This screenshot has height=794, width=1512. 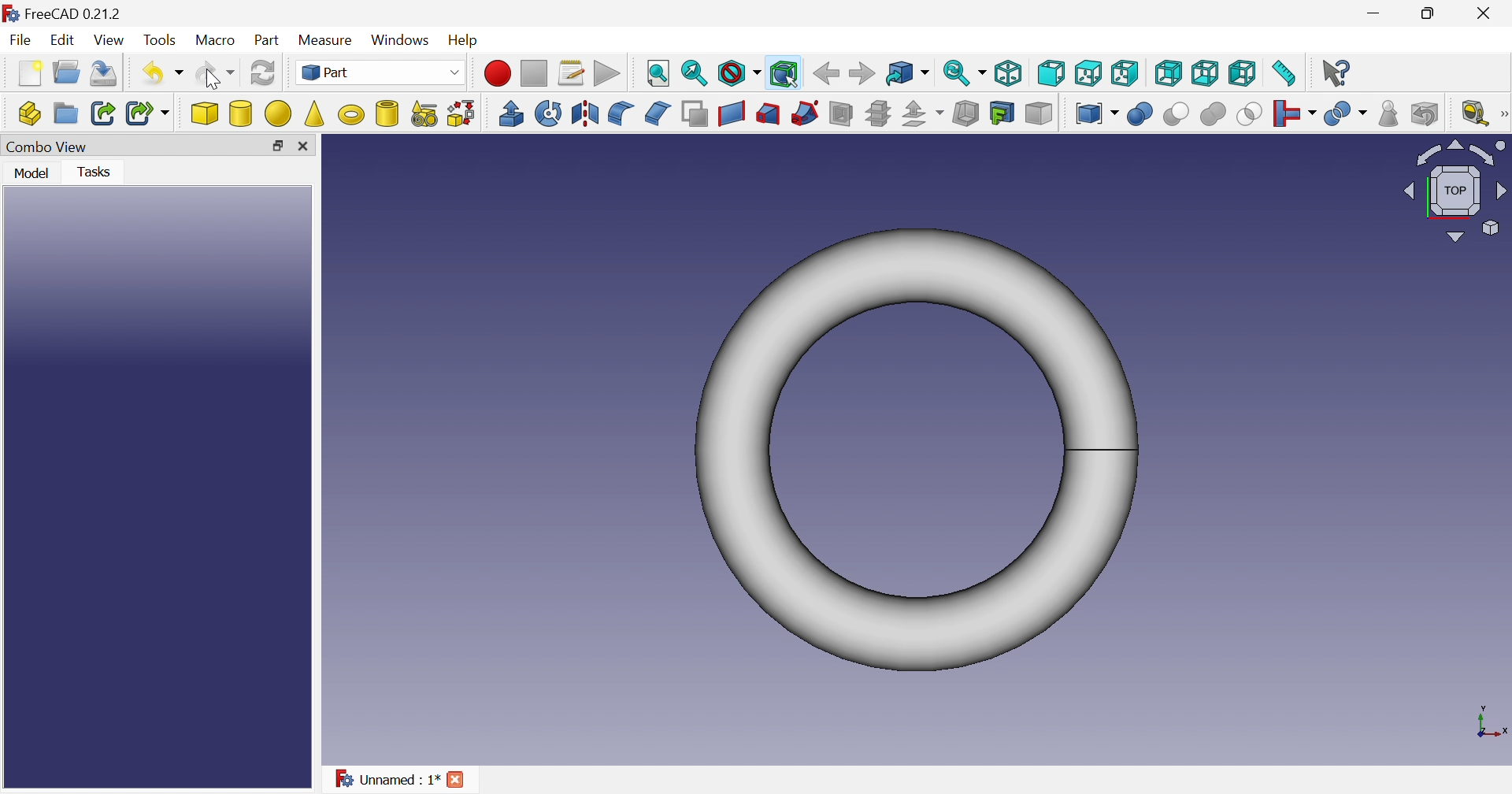 I want to click on Measure liner, so click(x=1473, y=113).